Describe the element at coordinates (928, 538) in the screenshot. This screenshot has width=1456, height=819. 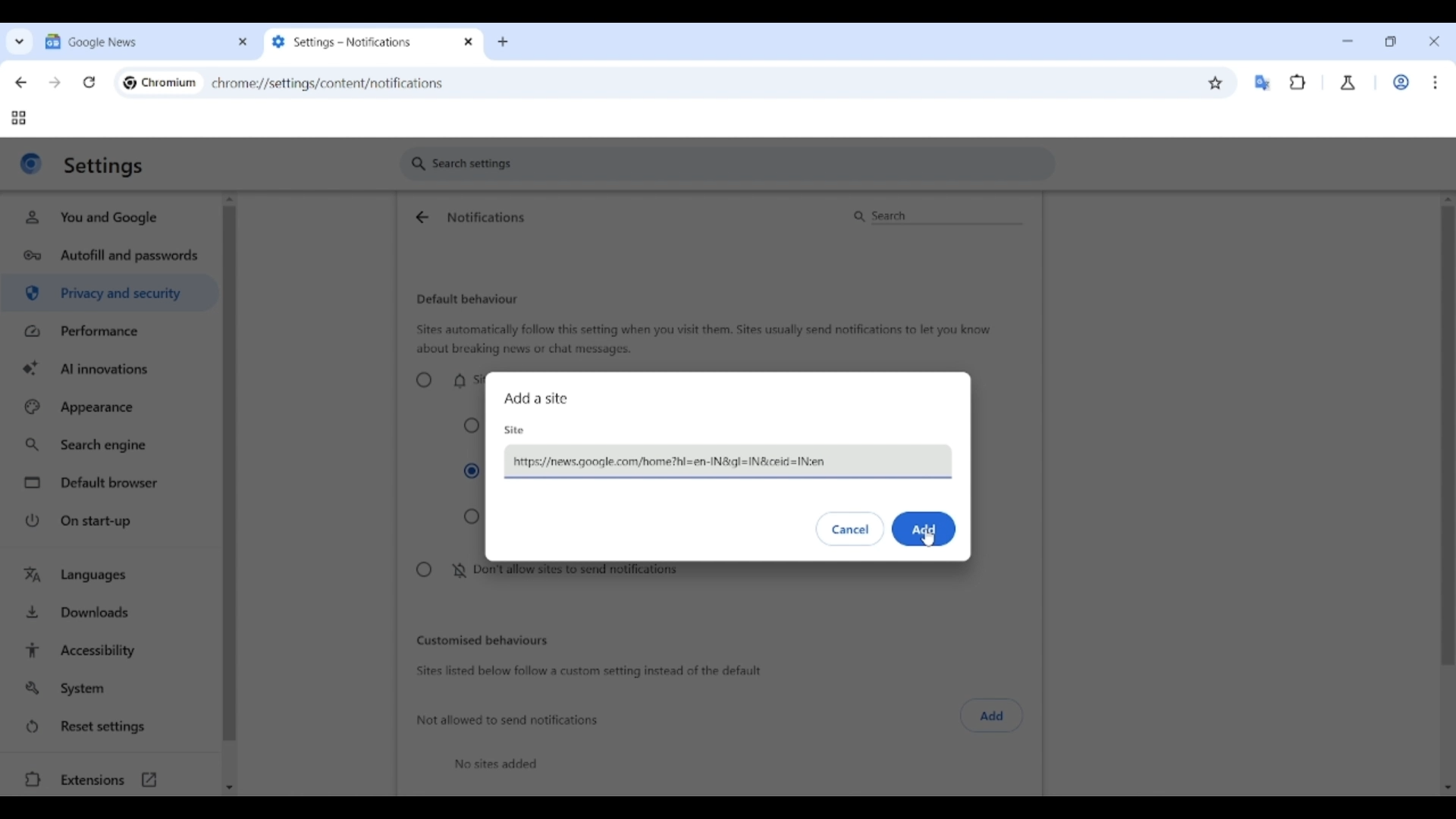
I see `Cursor` at that location.